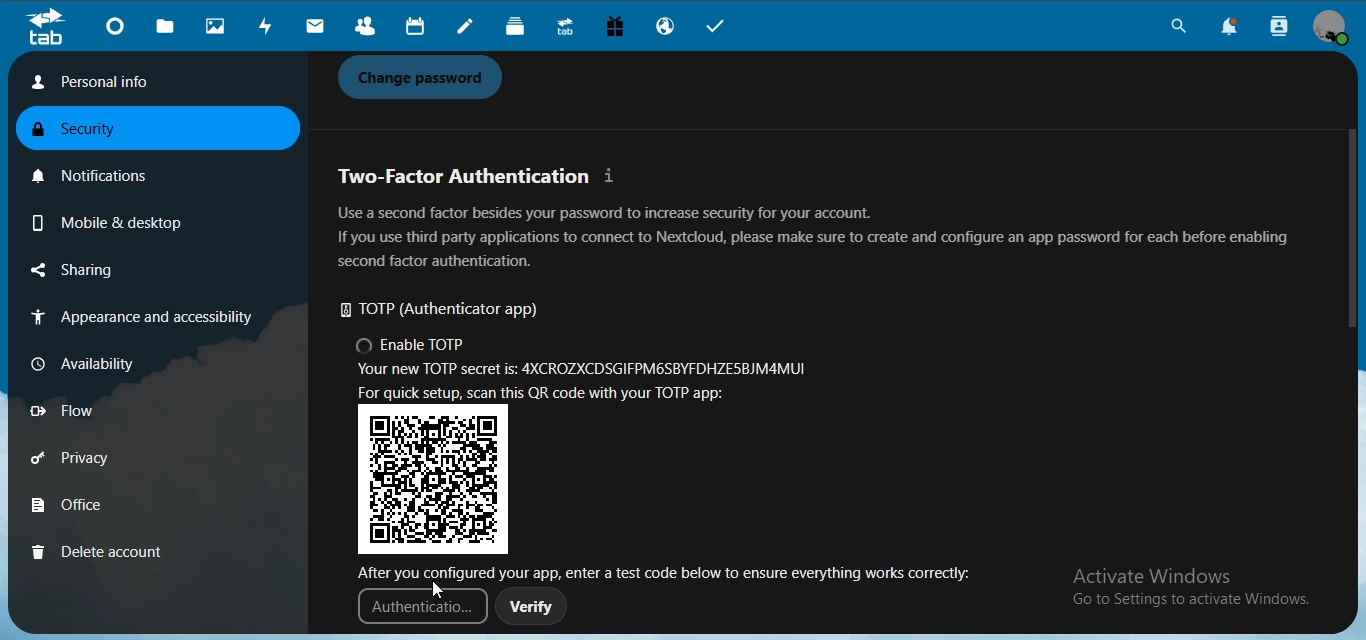 This screenshot has height=640, width=1366. What do you see at coordinates (98, 461) in the screenshot?
I see `privacy` at bounding box center [98, 461].